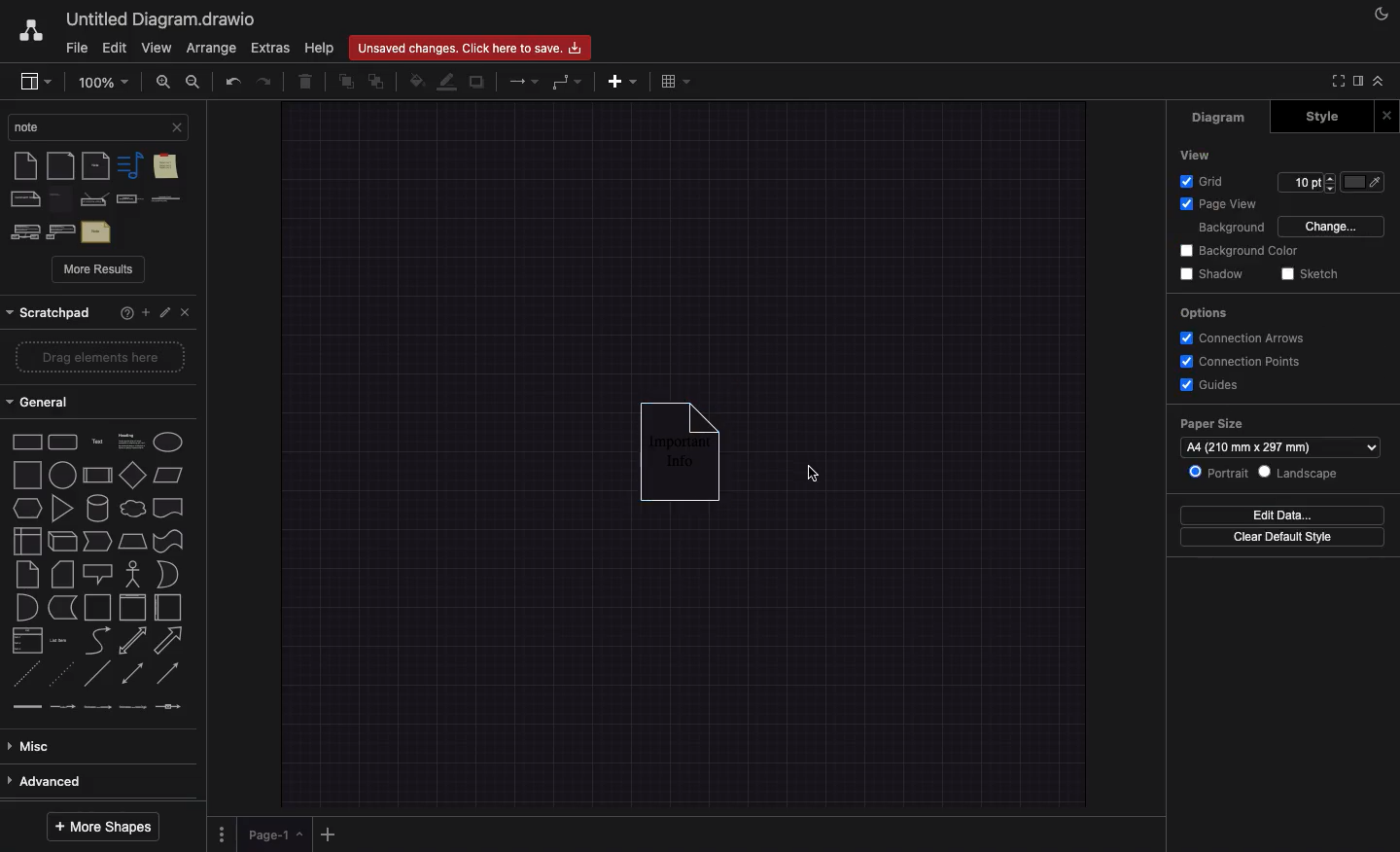 The height and width of the screenshot is (852, 1400). I want to click on Edit date, so click(1275, 514).